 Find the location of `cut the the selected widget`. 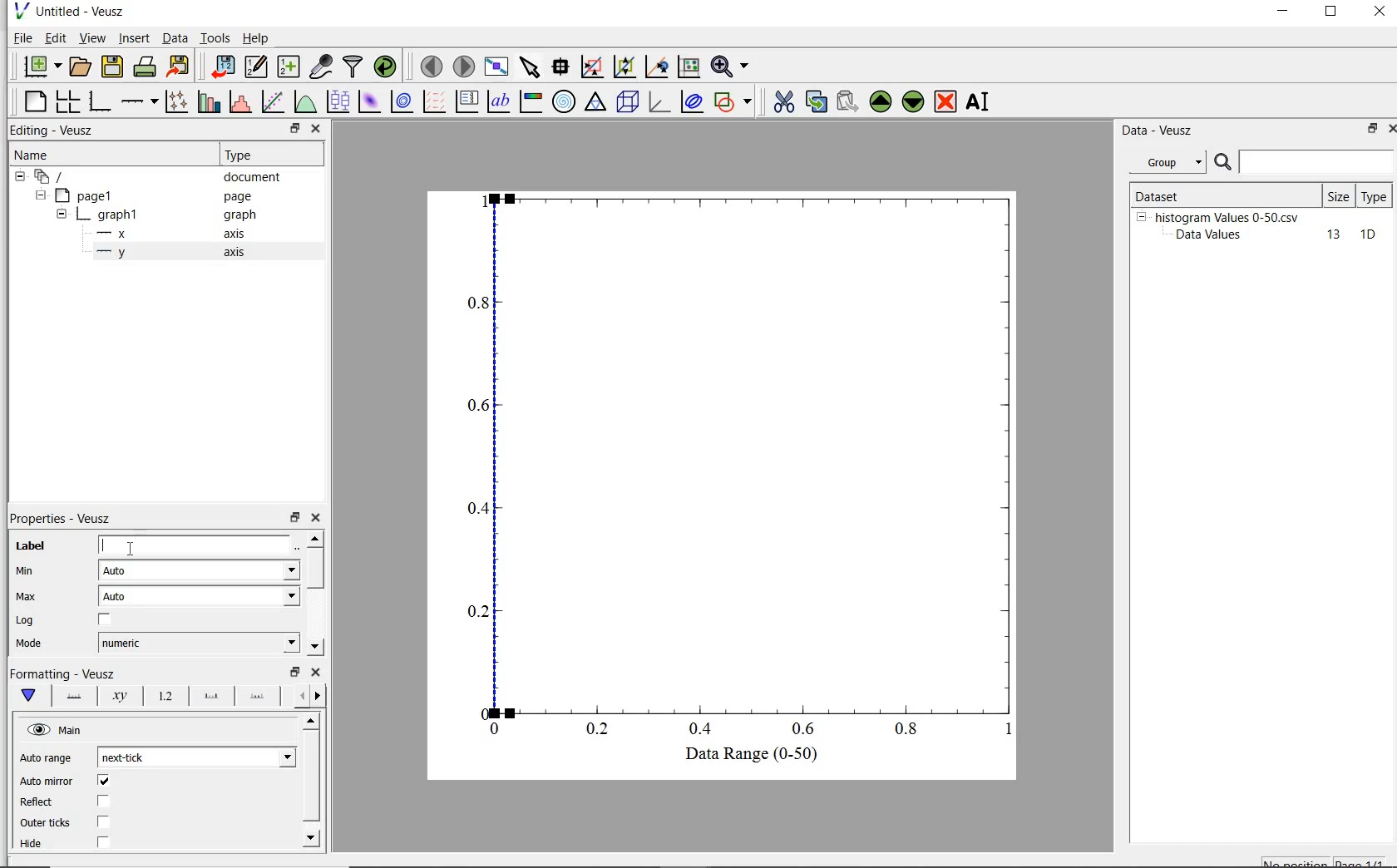

cut the the selected widget is located at coordinates (782, 104).